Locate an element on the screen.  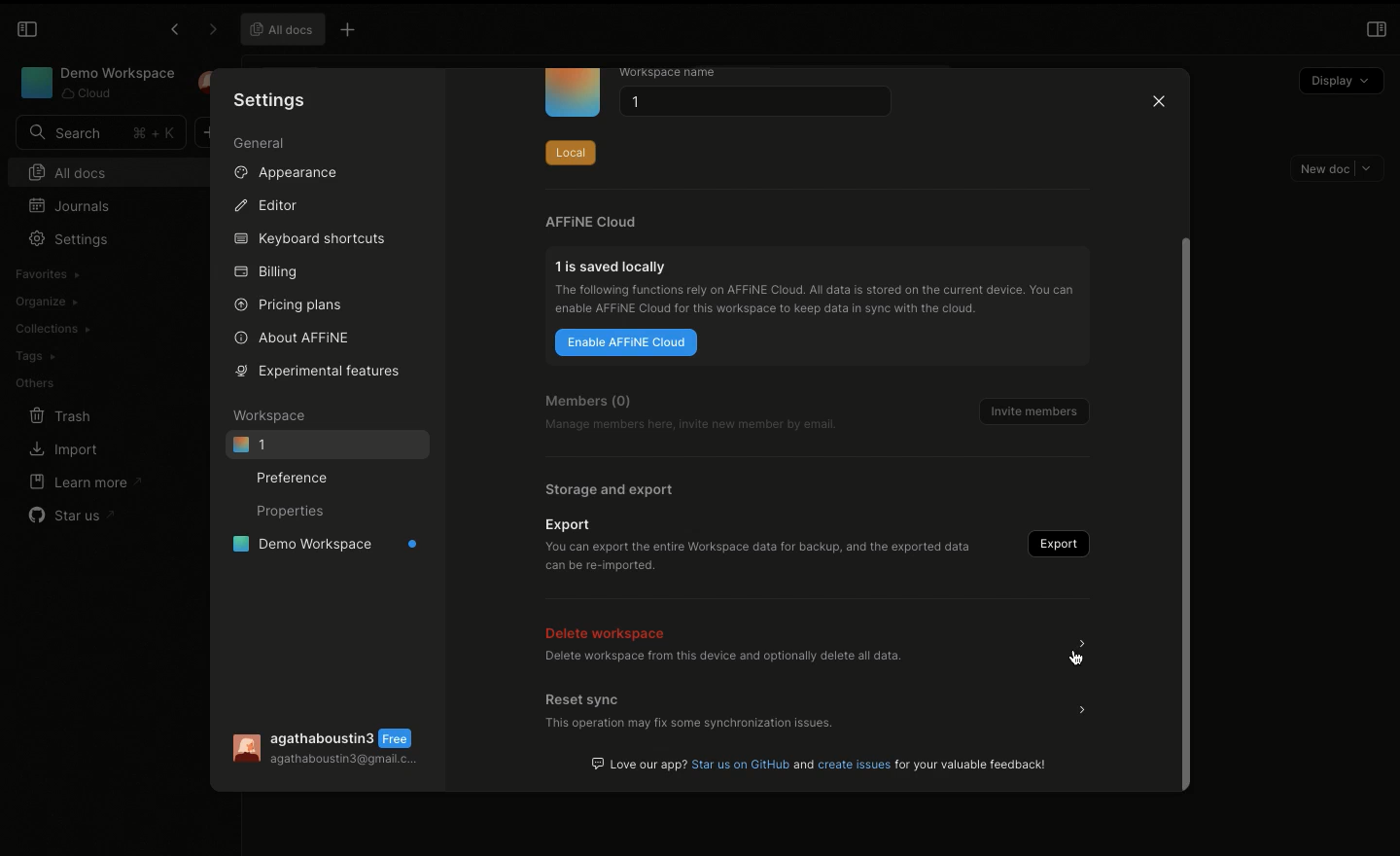
Mouse Cursor is located at coordinates (1077, 657).